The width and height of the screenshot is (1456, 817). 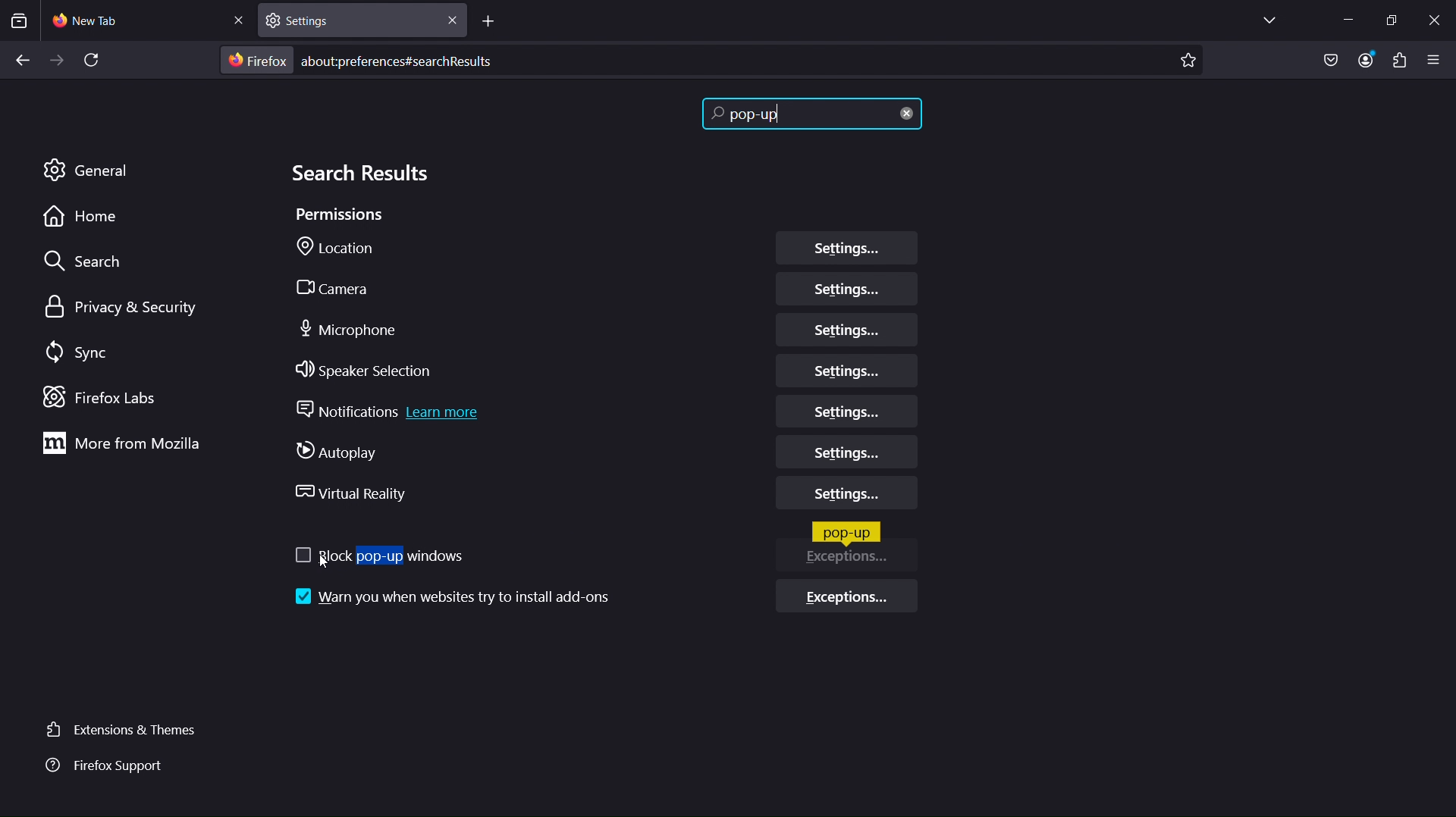 What do you see at coordinates (1437, 59) in the screenshot?
I see `Open application menu` at bounding box center [1437, 59].